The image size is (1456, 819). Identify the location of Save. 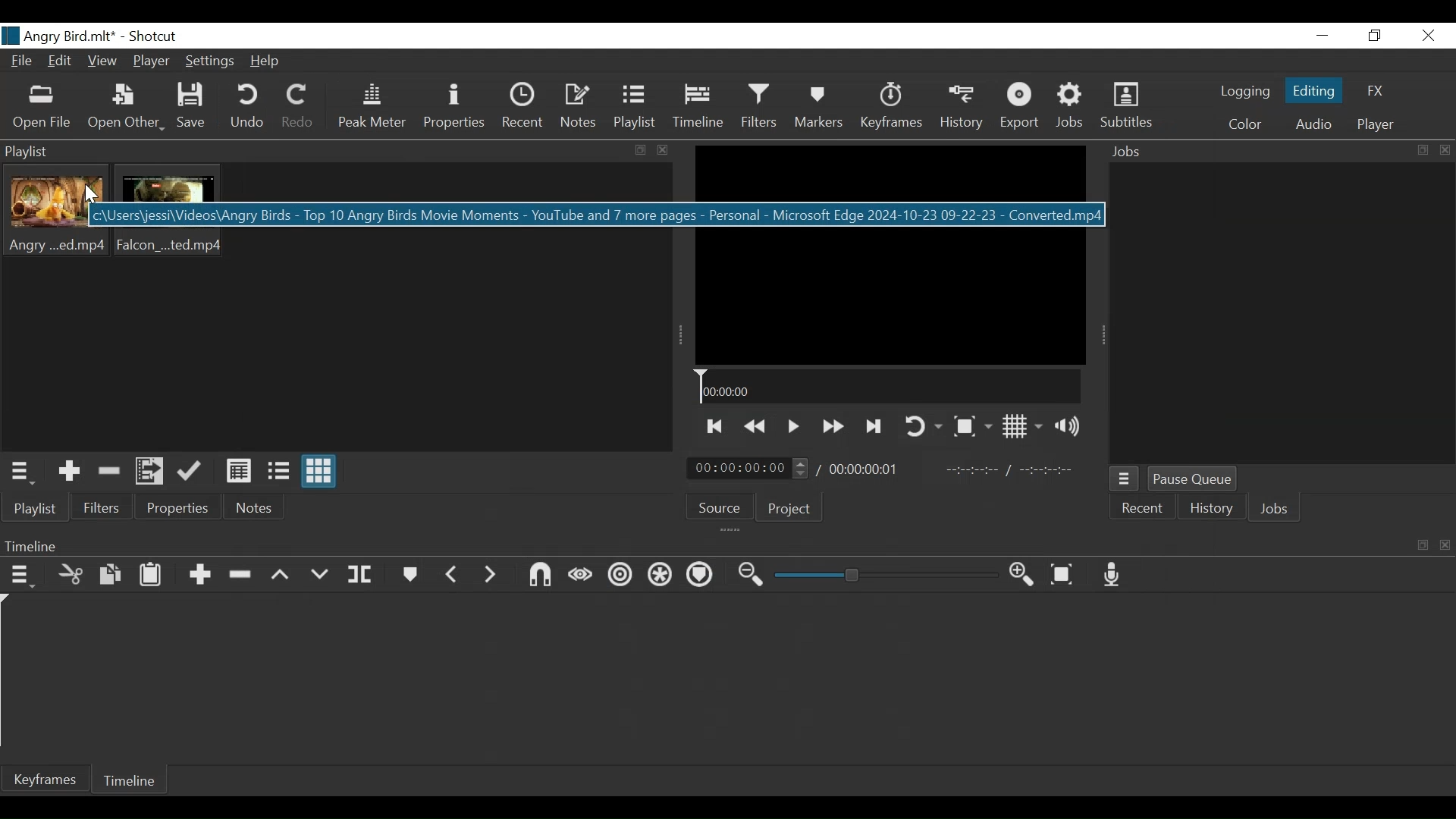
(194, 107).